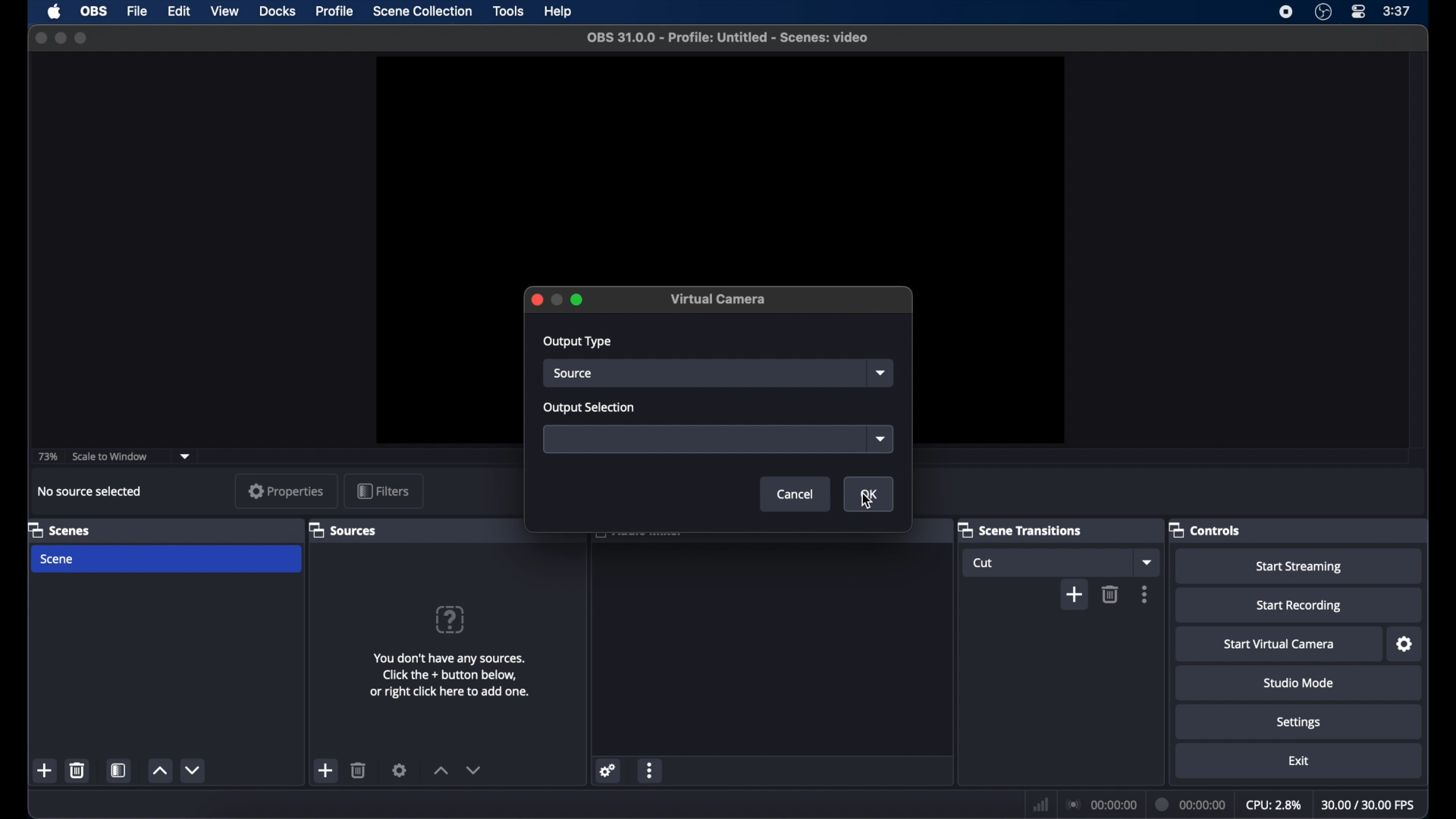 Image resolution: width=1456 pixels, height=819 pixels. Describe the element at coordinates (400, 770) in the screenshot. I see `settings` at that location.